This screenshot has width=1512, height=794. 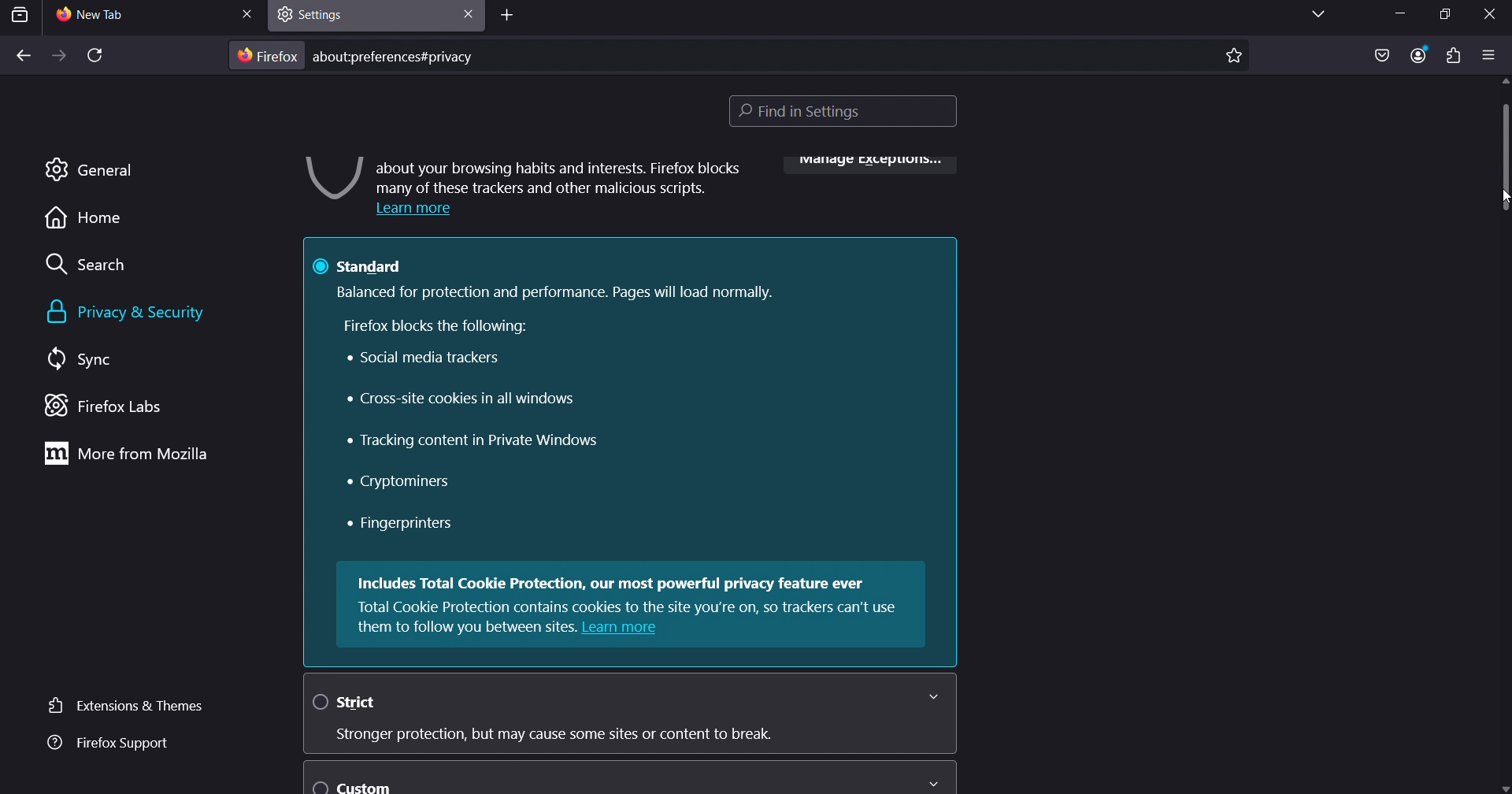 What do you see at coordinates (82, 222) in the screenshot?
I see `home` at bounding box center [82, 222].